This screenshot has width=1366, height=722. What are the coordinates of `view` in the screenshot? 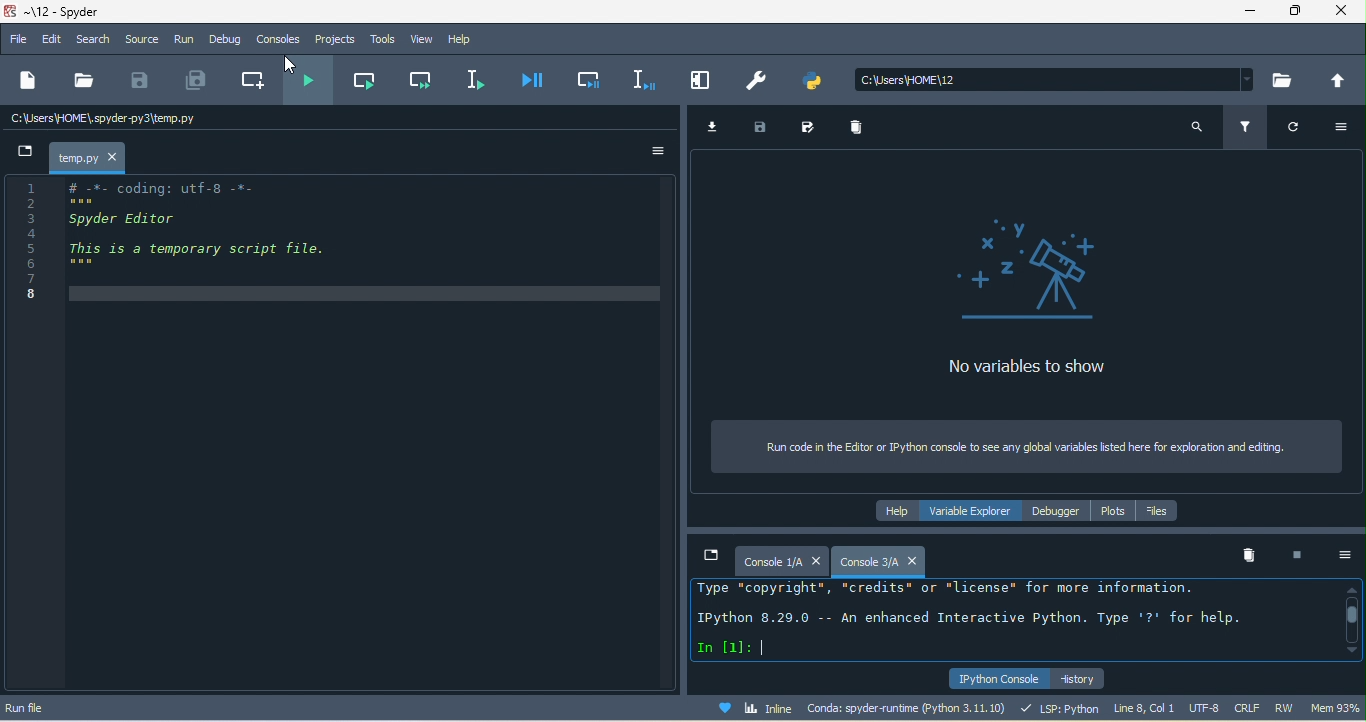 It's located at (423, 40).